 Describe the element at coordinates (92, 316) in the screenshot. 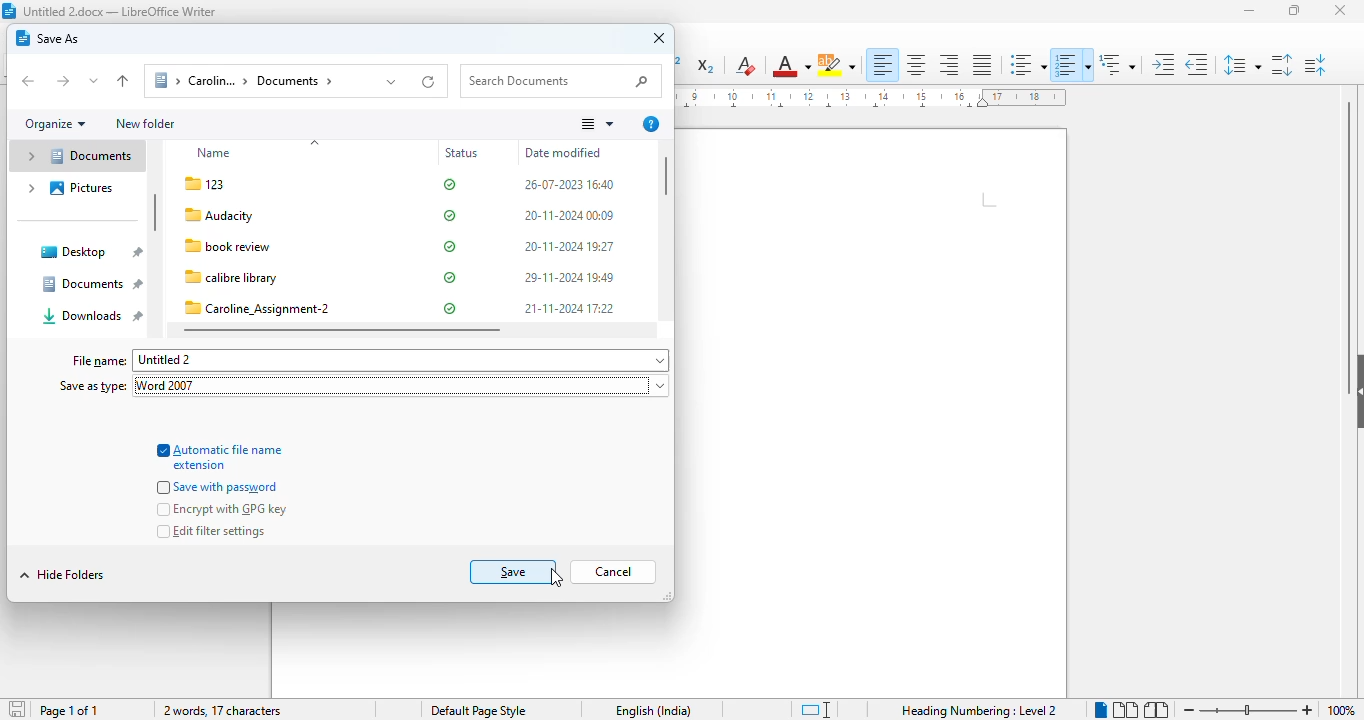

I see `downloads` at that location.